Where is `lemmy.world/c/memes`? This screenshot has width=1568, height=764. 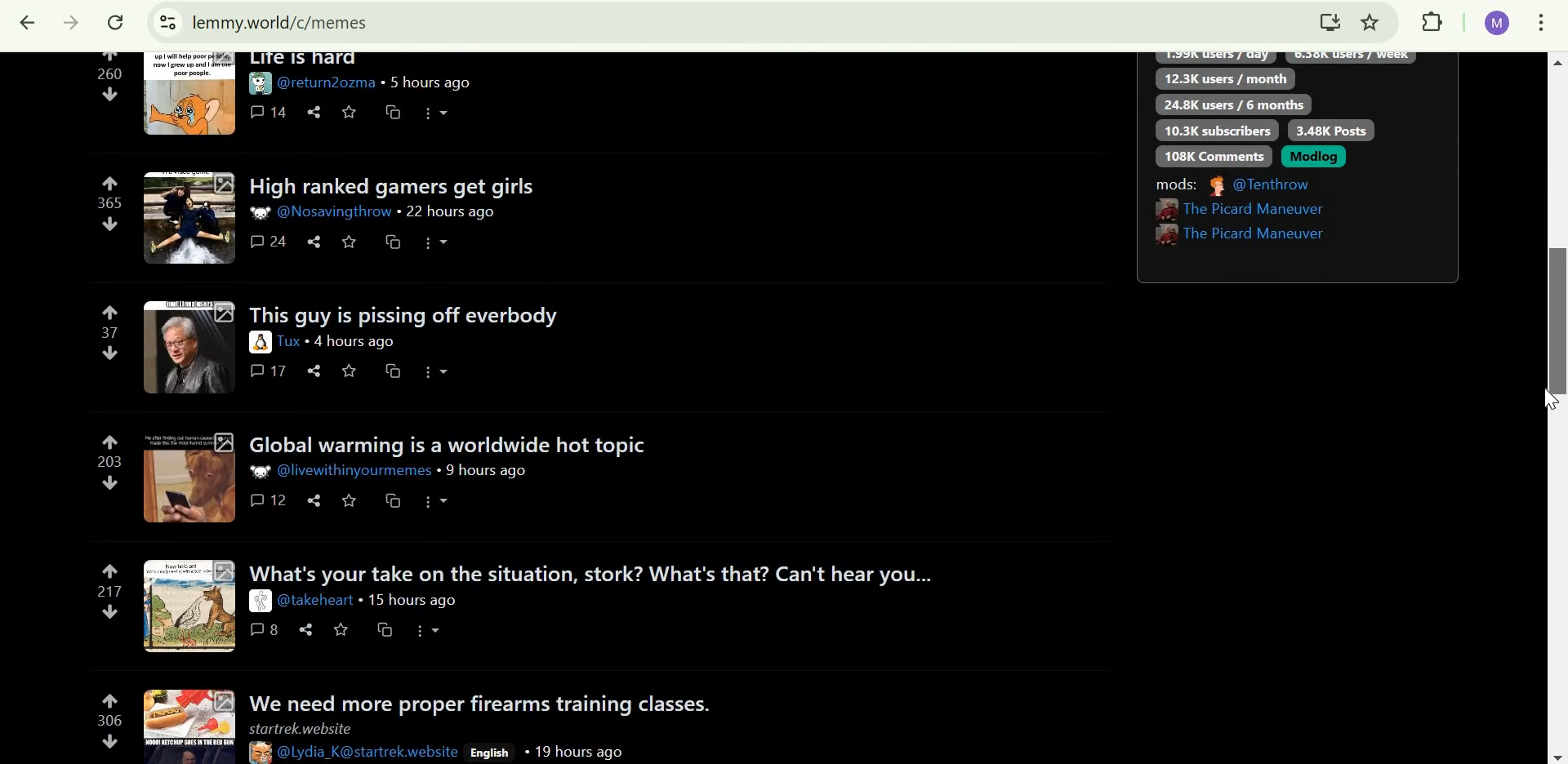 lemmy.world/c/memes is located at coordinates (283, 22).